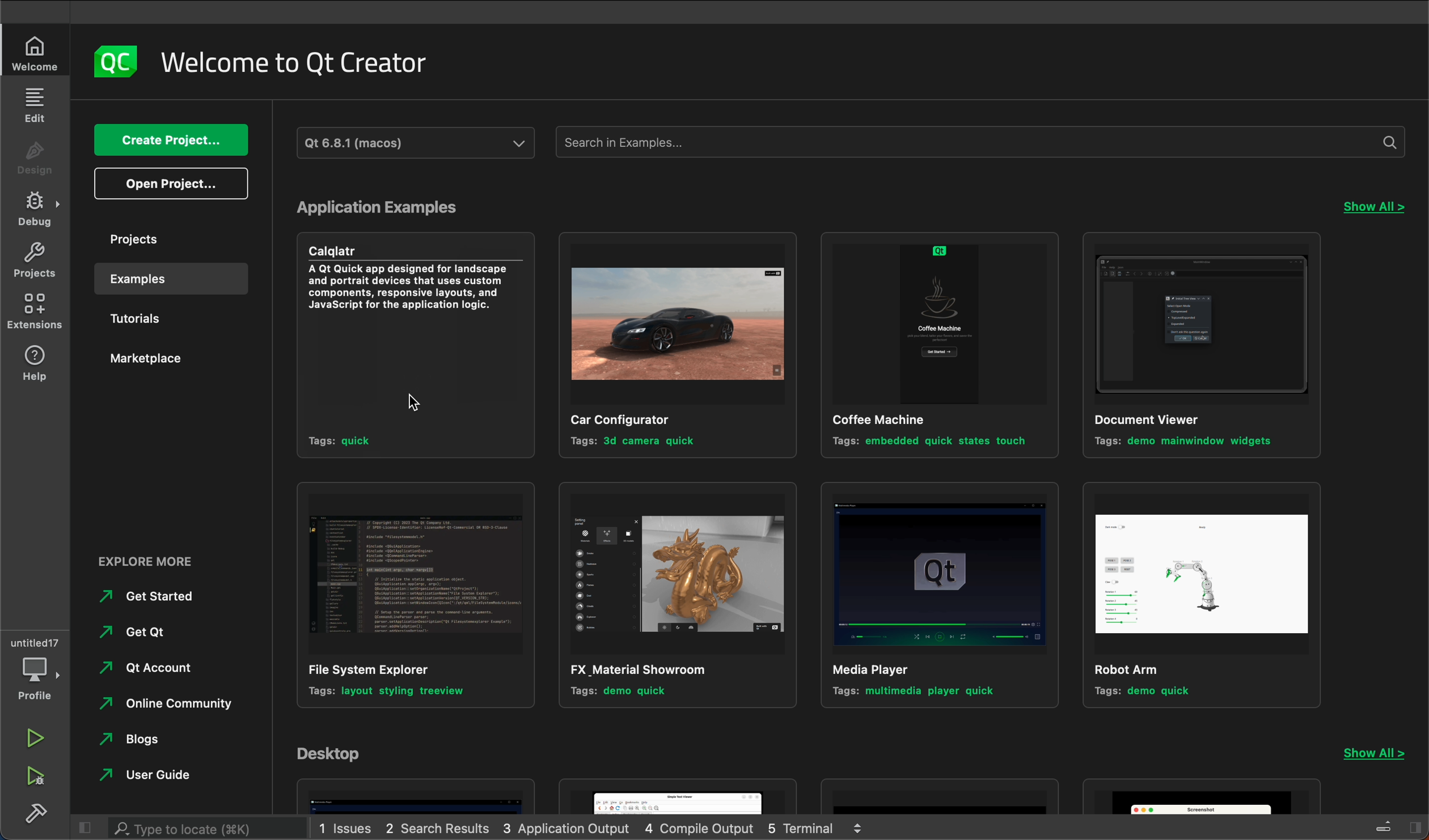  I want to click on create, so click(166, 140).